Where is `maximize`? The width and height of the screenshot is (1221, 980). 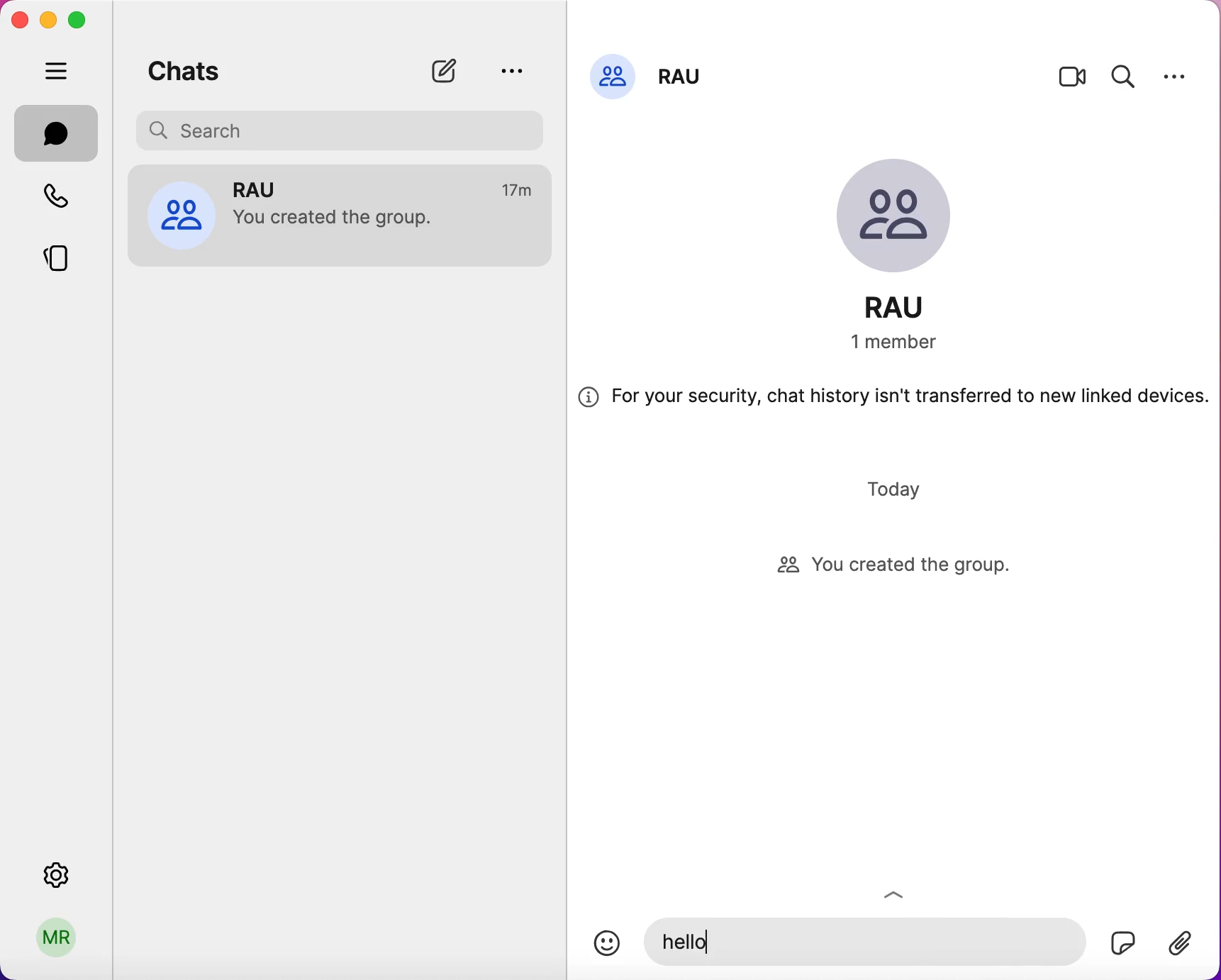
maximize is located at coordinates (82, 21).